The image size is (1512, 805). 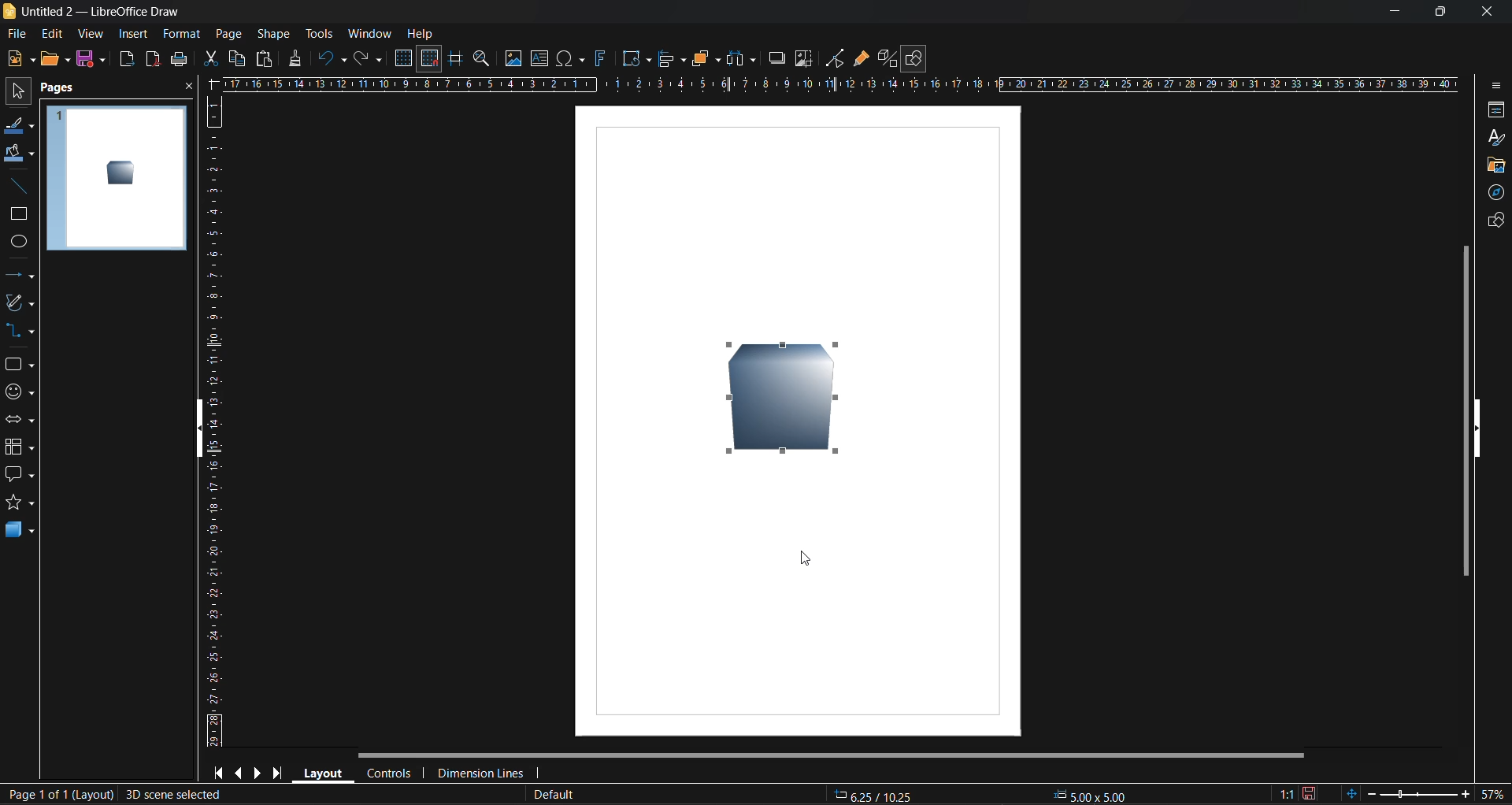 I want to click on print, so click(x=179, y=61).